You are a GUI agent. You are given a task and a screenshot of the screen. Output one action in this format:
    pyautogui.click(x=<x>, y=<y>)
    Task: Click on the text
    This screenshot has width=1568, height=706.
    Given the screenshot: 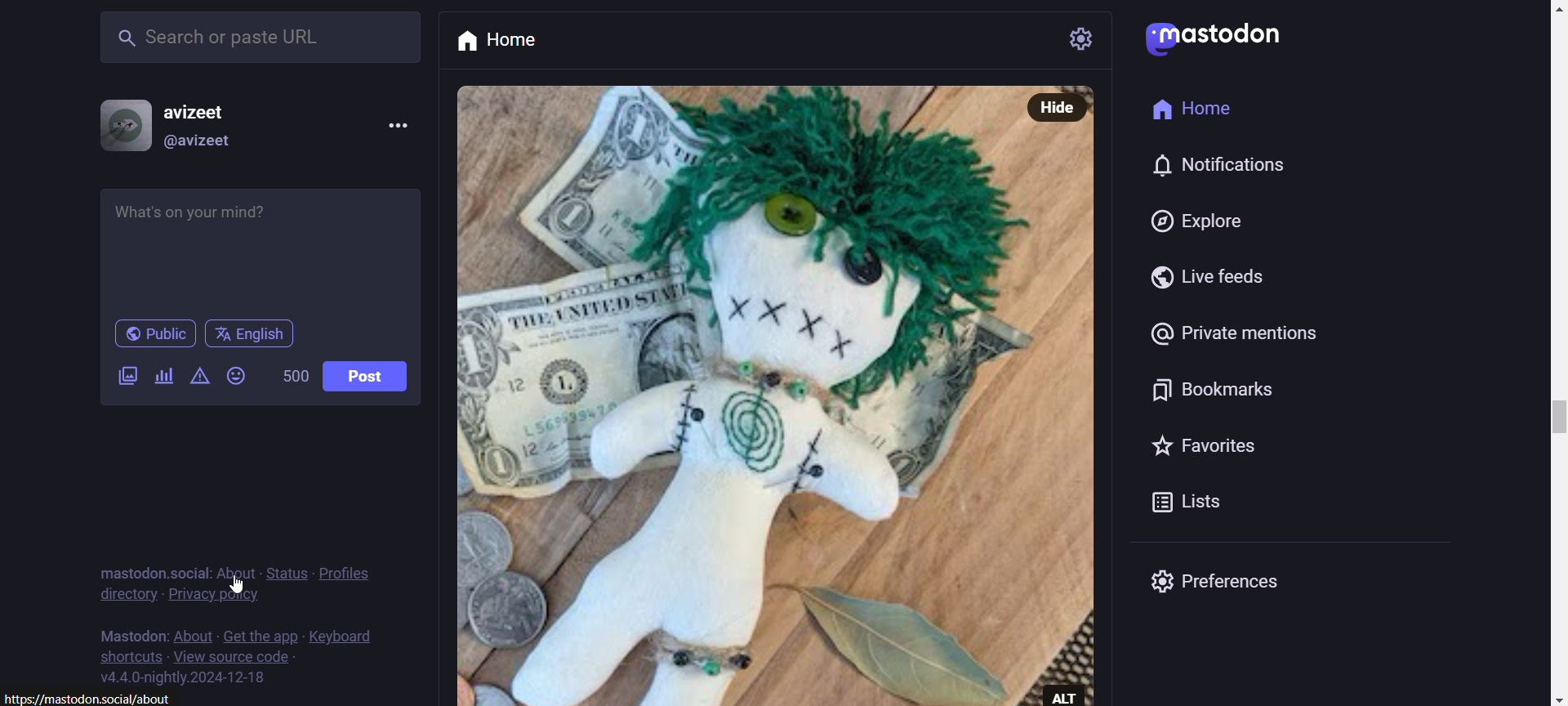 What is the action you would take?
    pyautogui.click(x=130, y=632)
    